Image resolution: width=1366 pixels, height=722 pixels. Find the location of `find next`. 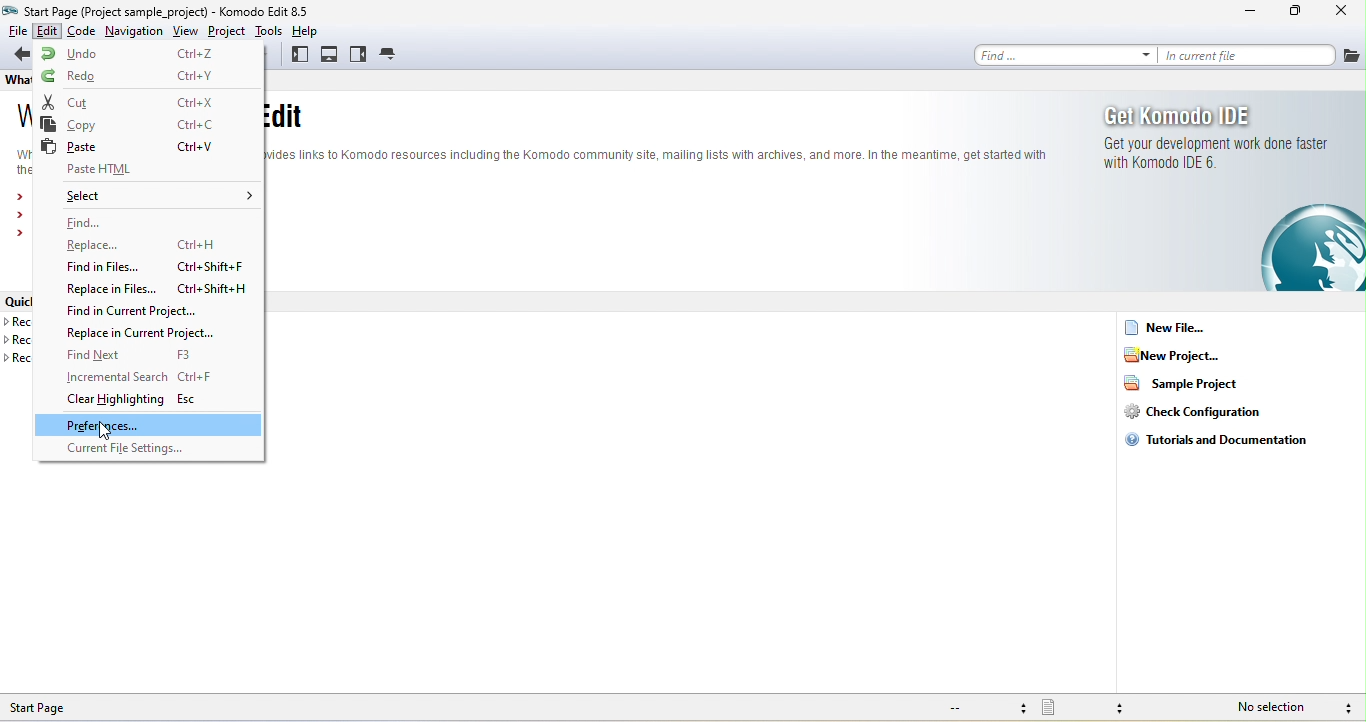

find next is located at coordinates (137, 354).